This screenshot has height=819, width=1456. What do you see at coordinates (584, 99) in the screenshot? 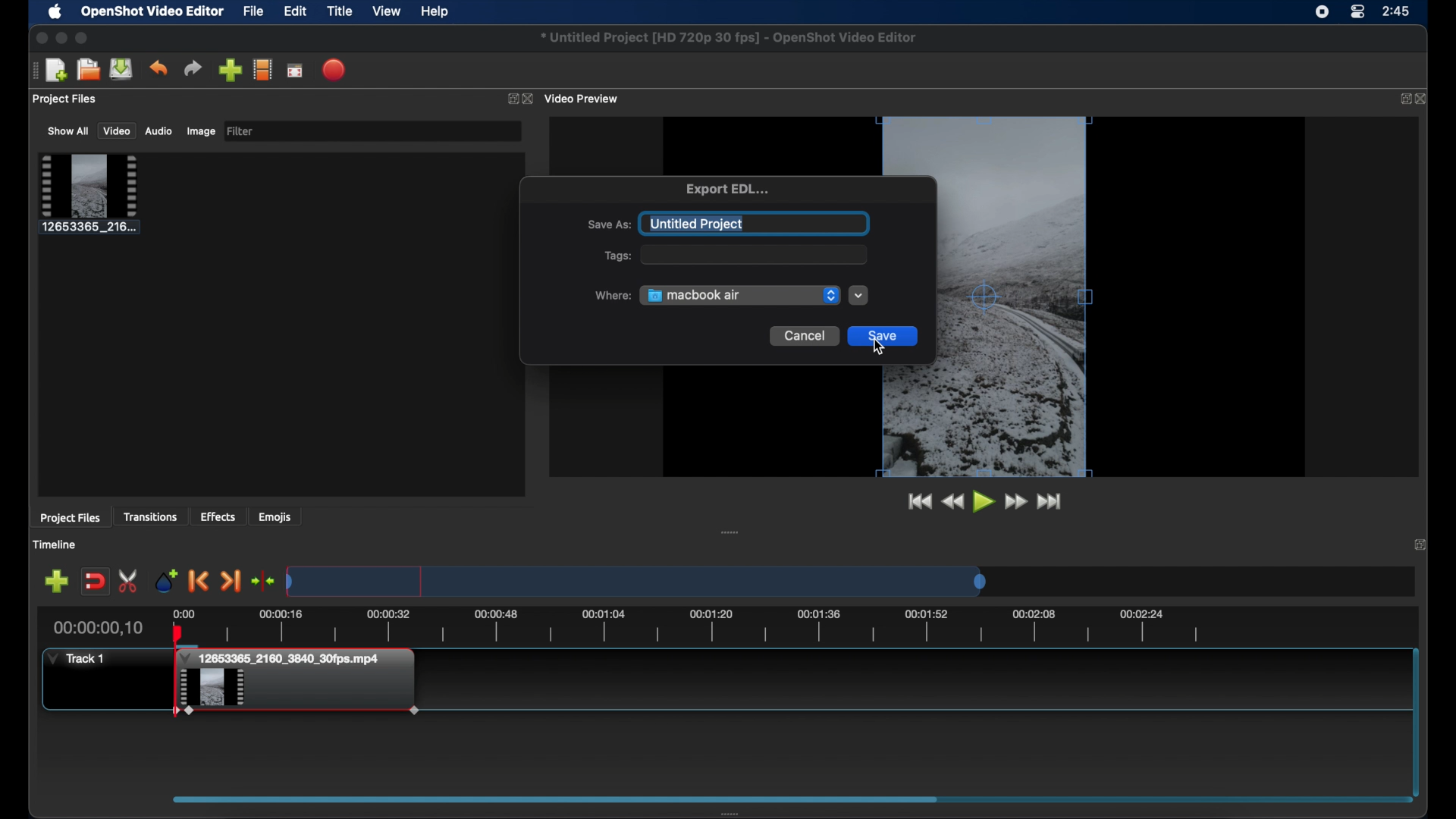
I see `video preview` at bounding box center [584, 99].